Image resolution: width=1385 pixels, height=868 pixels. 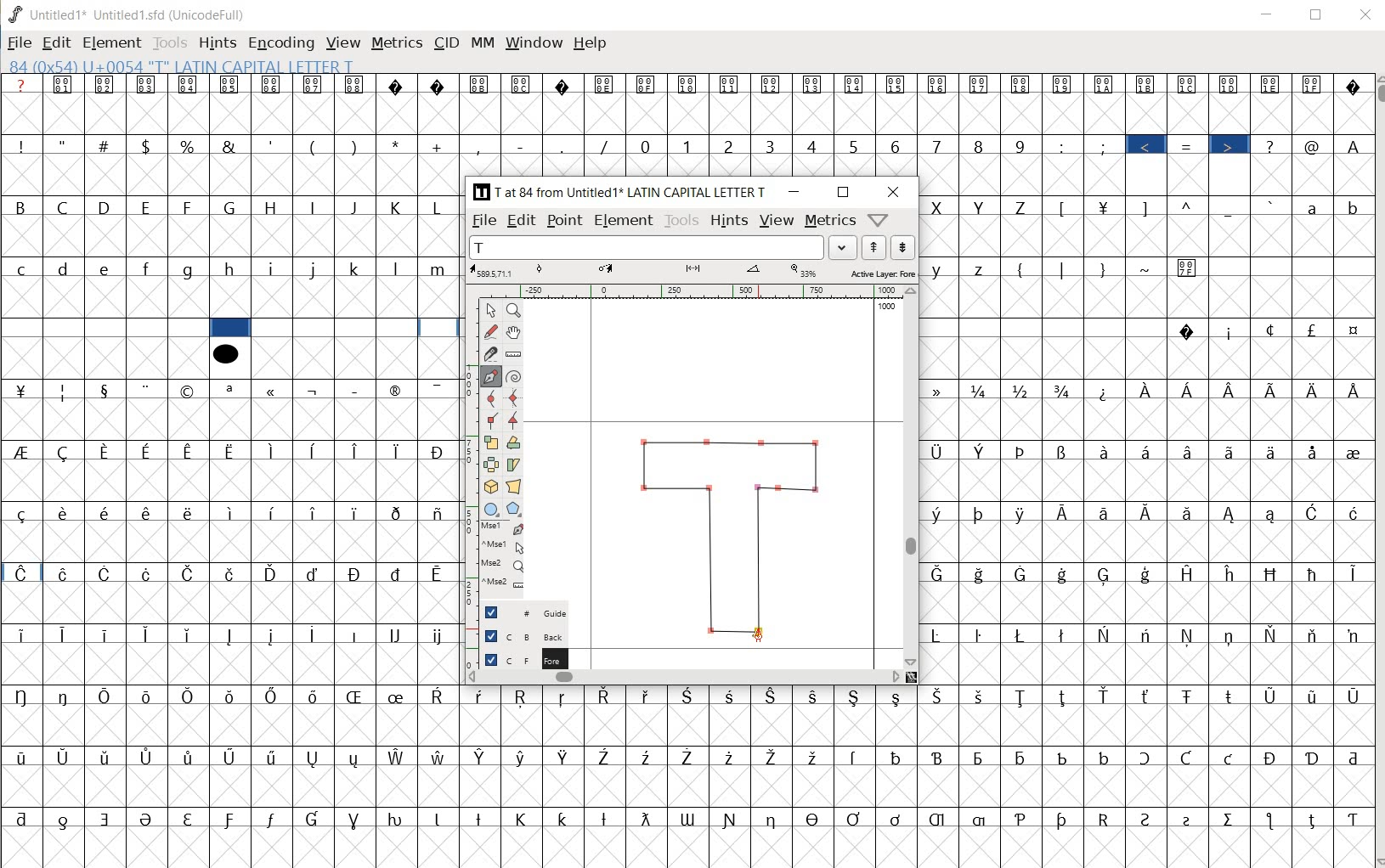 What do you see at coordinates (485, 221) in the screenshot?
I see `file` at bounding box center [485, 221].